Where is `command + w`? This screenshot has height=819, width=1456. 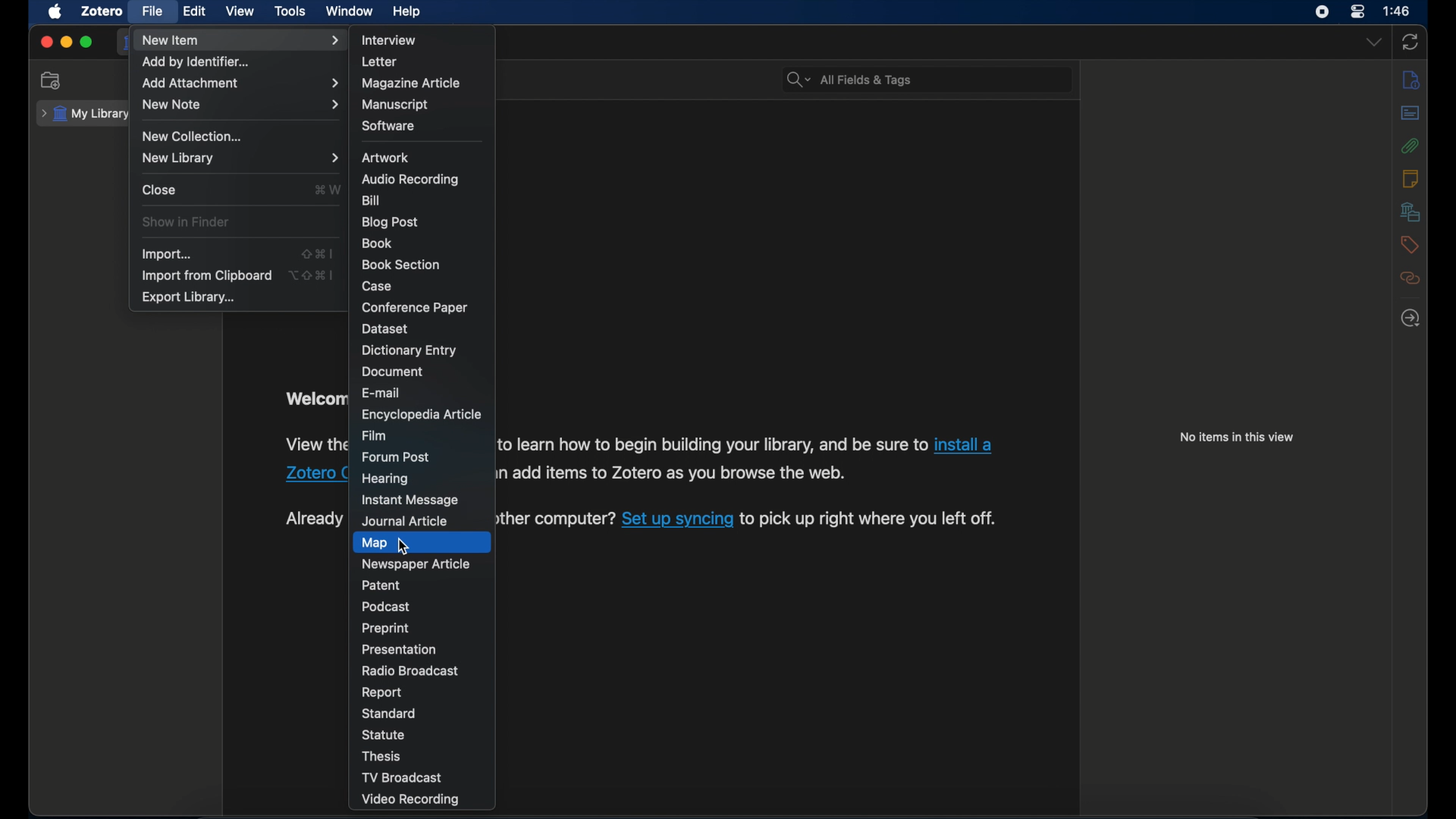
command + w is located at coordinates (326, 189).